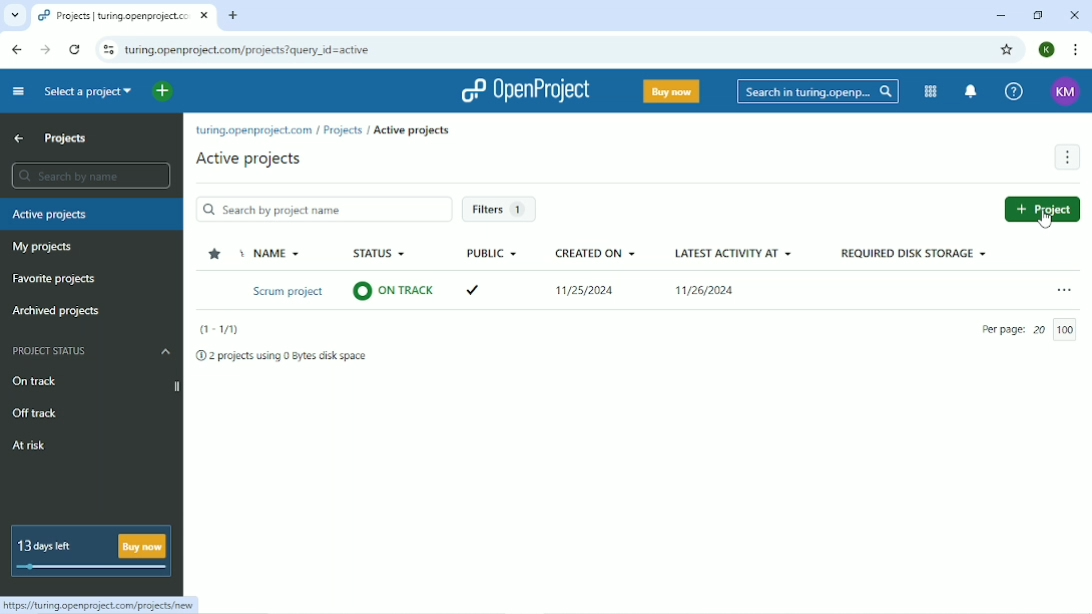 This screenshot has height=614, width=1092. What do you see at coordinates (248, 49) in the screenshot?
I see `turing.openproject.com/projects?query_id=active` at bounding box center [248, 49].